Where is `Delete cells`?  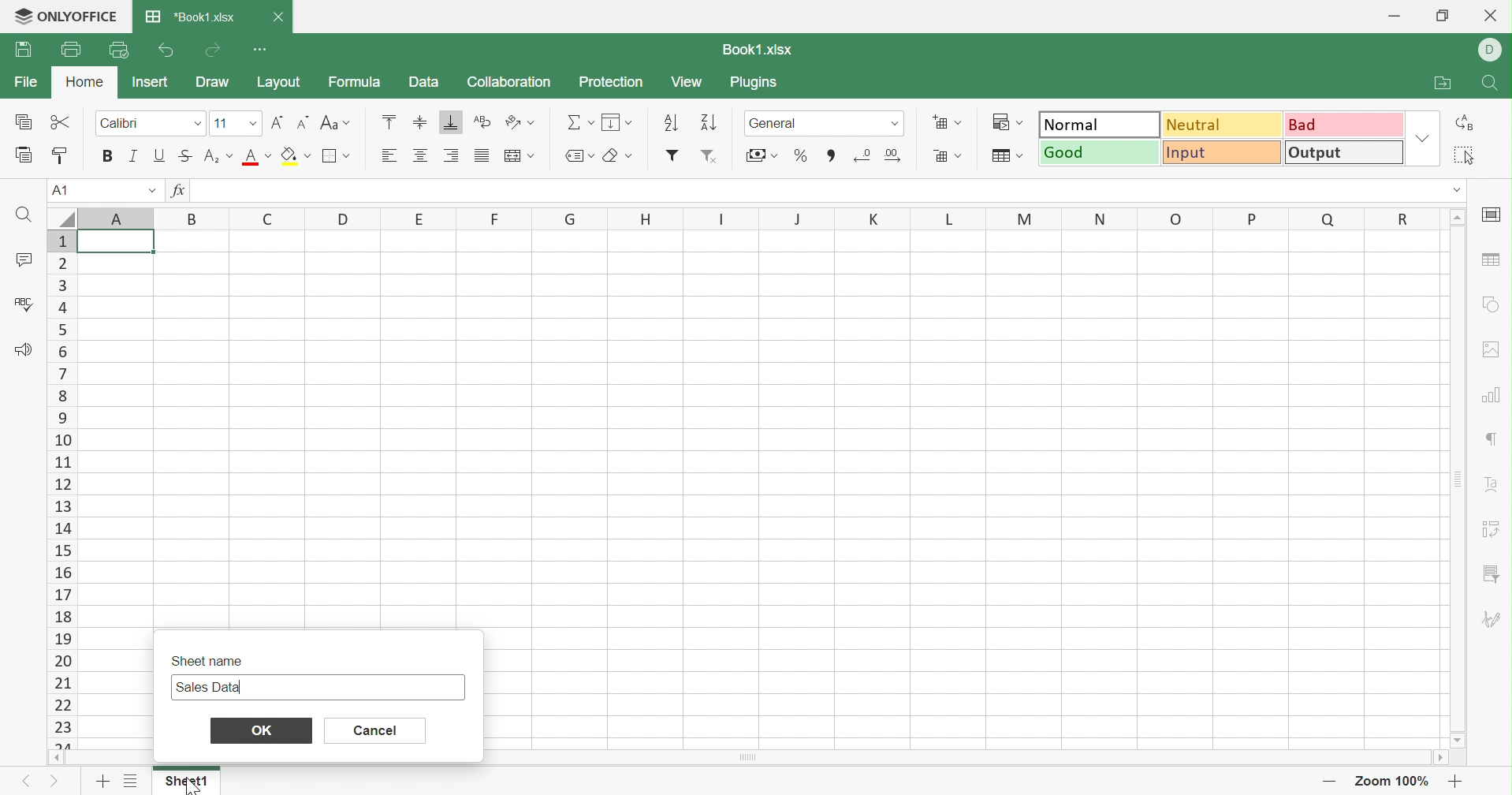 Delete cells is located at coordinates (946, 156).